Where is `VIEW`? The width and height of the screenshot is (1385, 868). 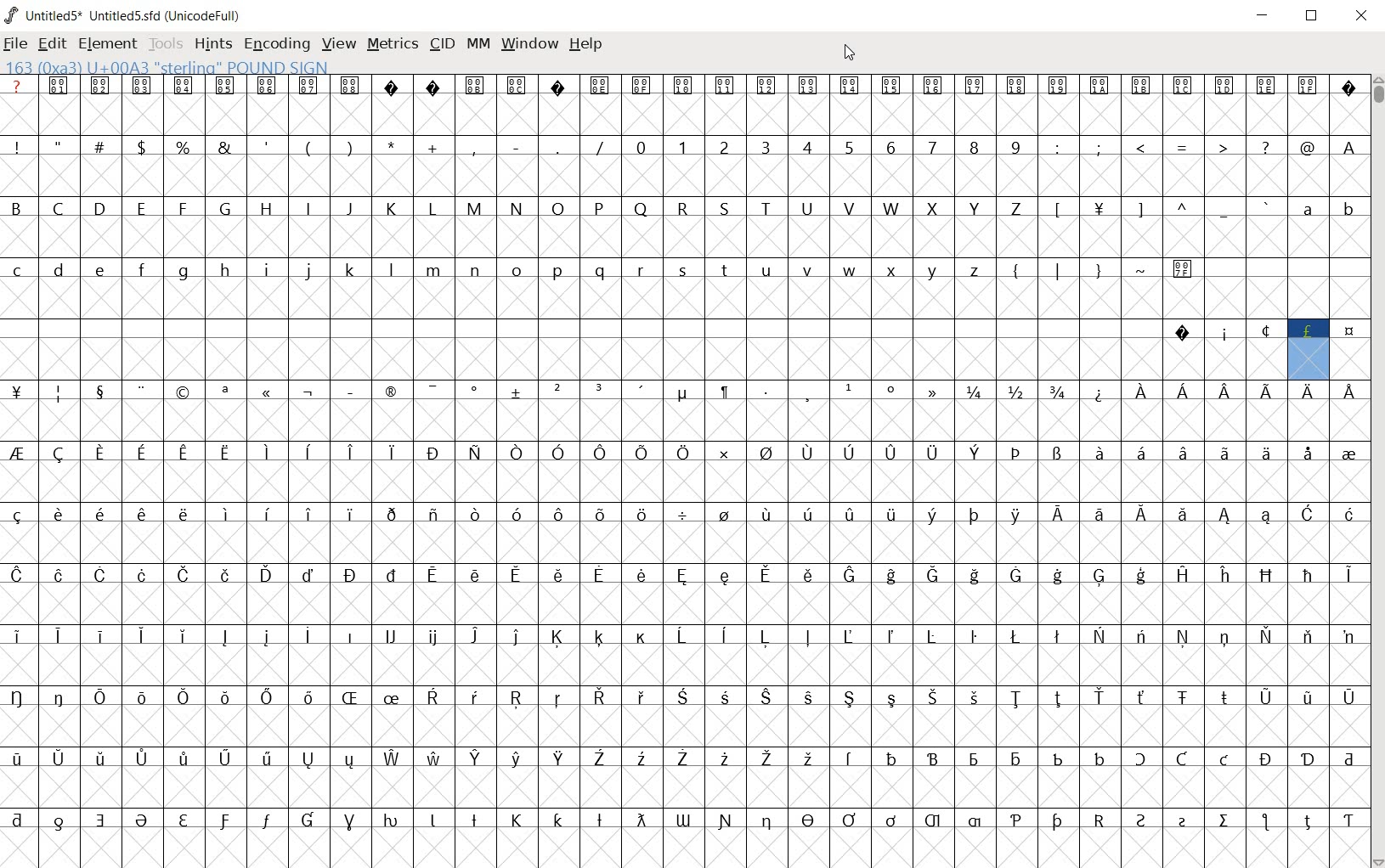 VIEW is located at coordinates (337, 44).